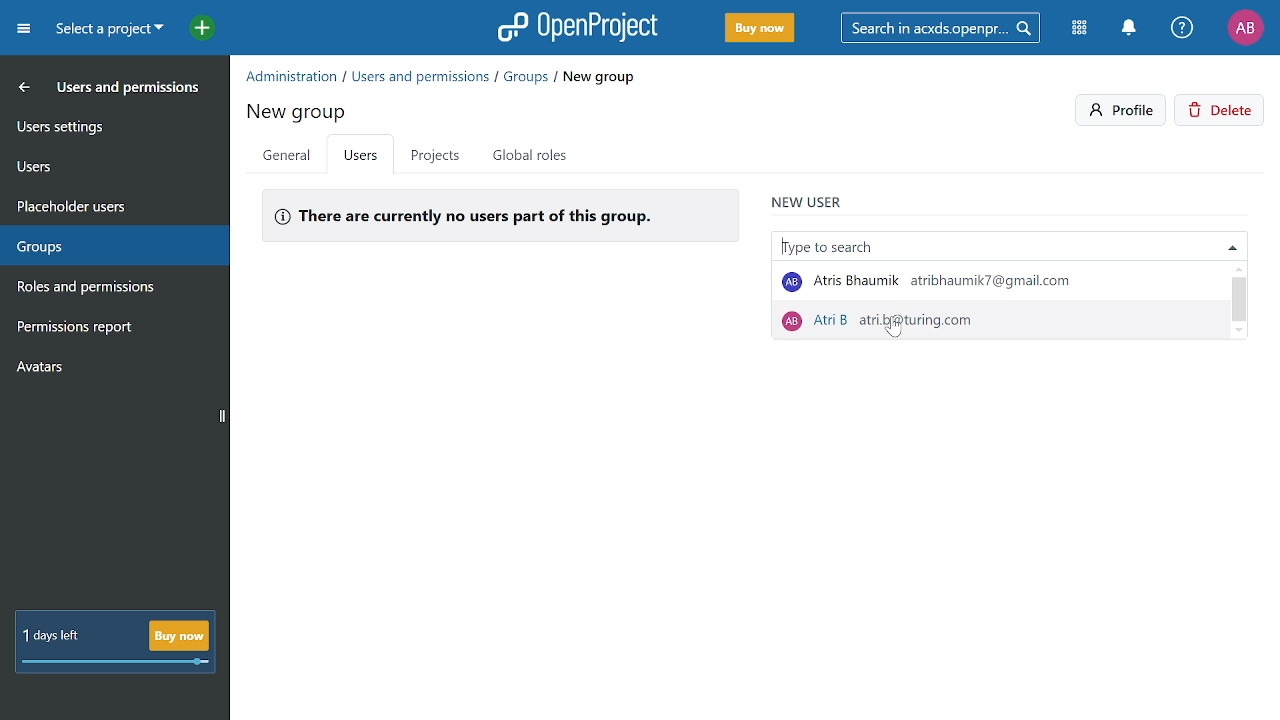 The width and height of the screenshot is (1280, 720). Describe the element at coordinates (112, 163) in the screenshot. I see `Users` at that location.